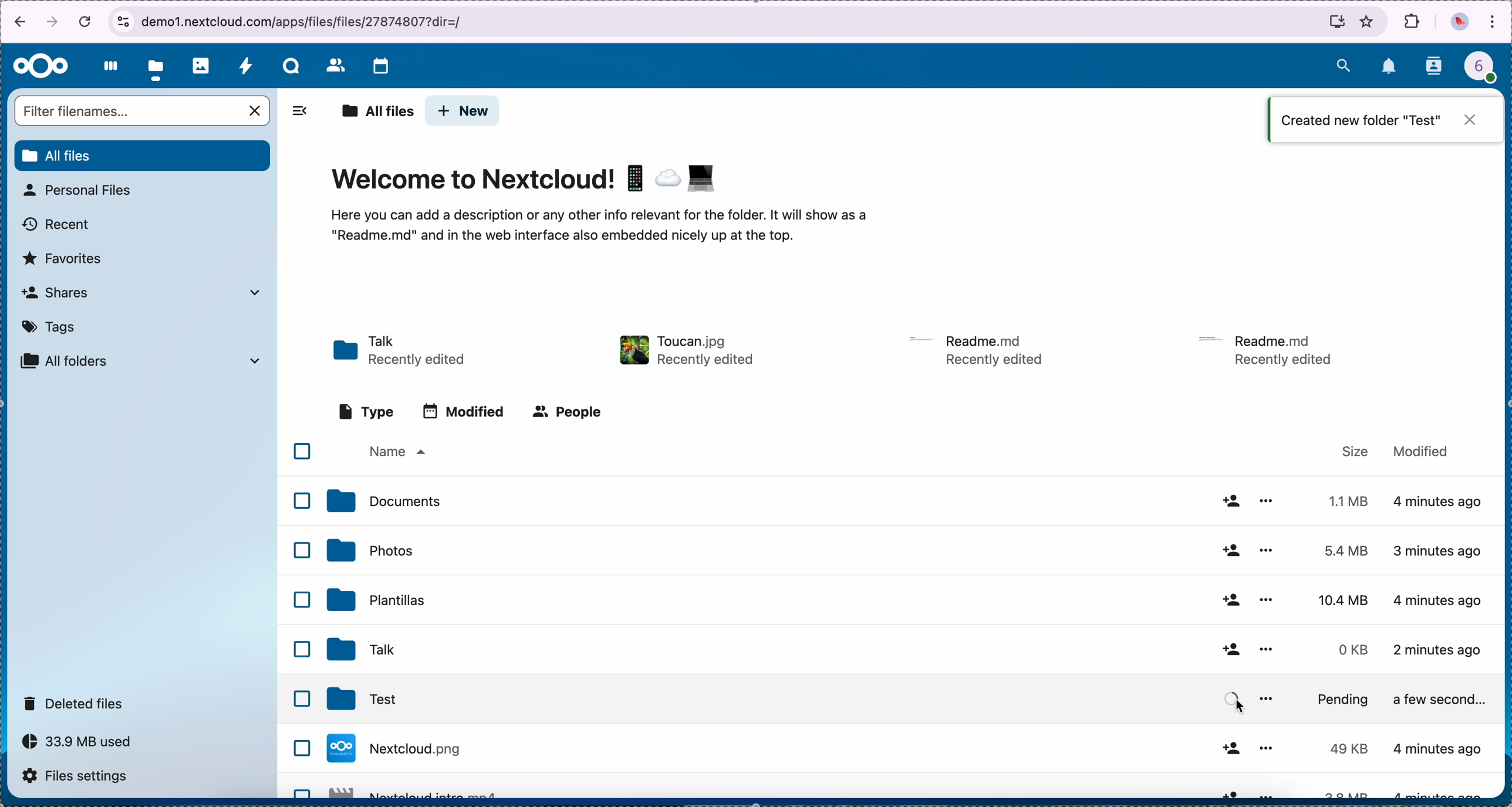  Describe the element at coordinates (1460, 23) in the screenshot. I see `profile picture` at that location.